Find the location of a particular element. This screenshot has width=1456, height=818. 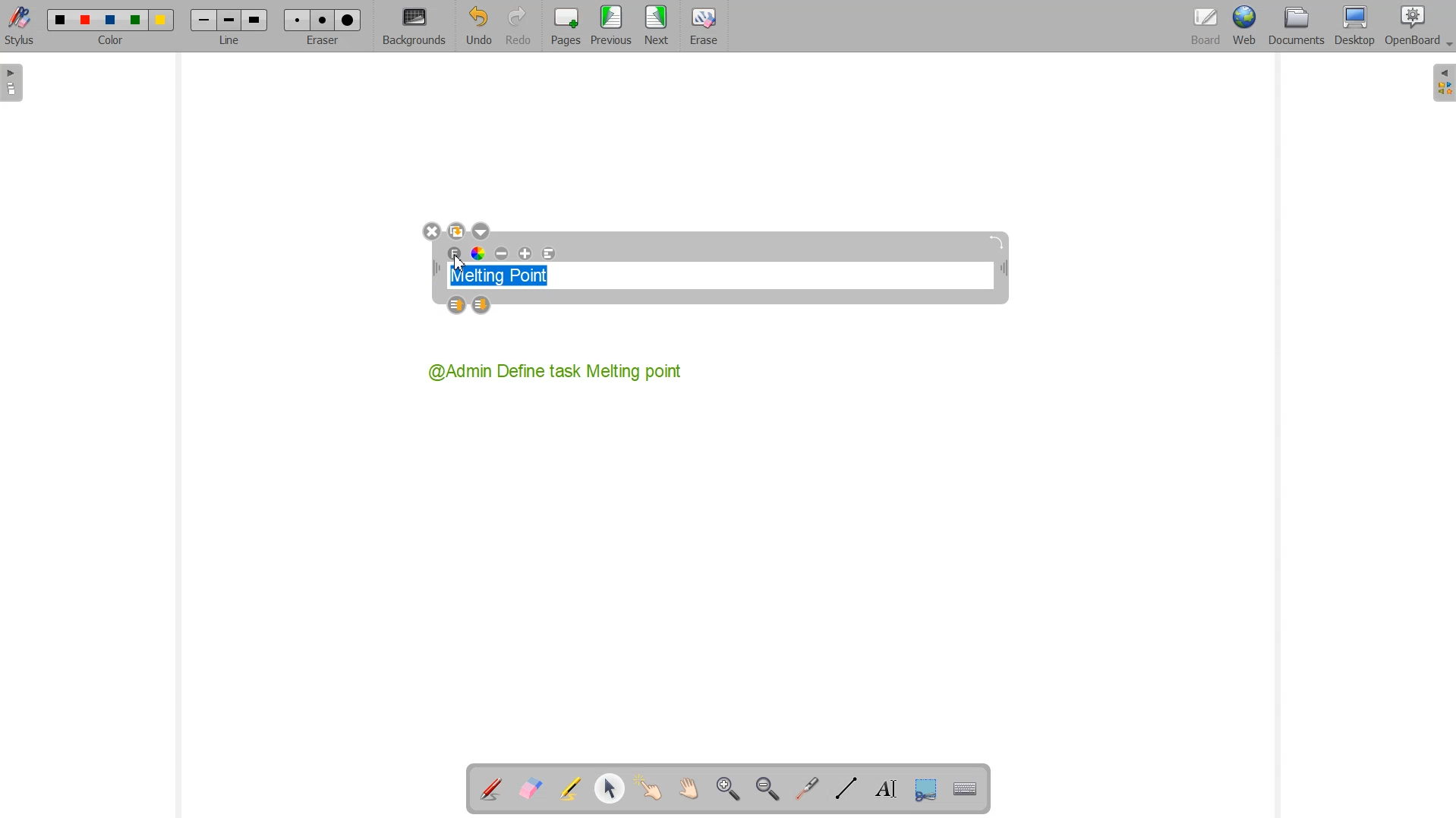

Zoom Out is located at coordinates (767, 788).